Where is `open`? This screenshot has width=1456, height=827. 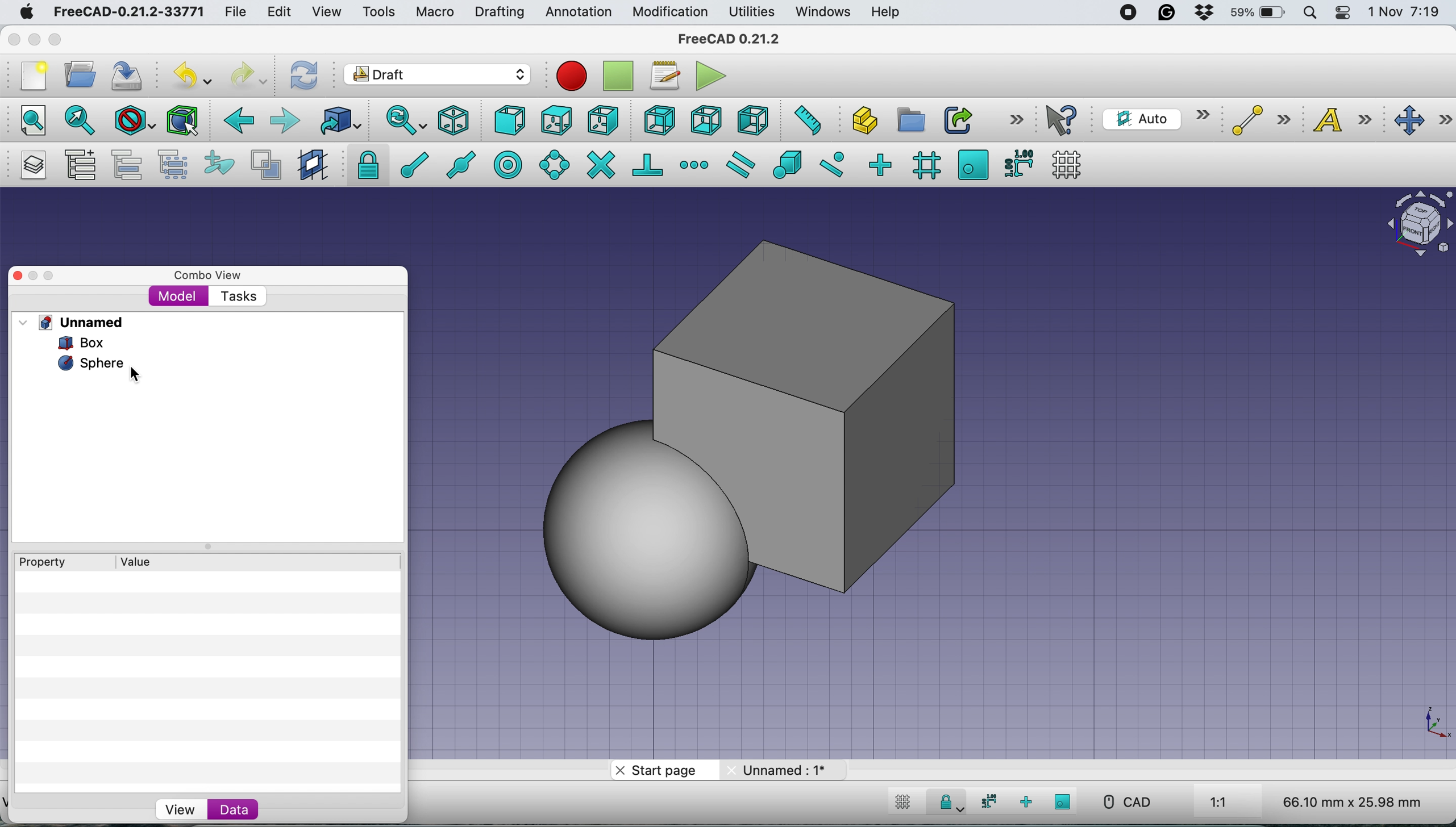 open is located at coordinates (85, 74).